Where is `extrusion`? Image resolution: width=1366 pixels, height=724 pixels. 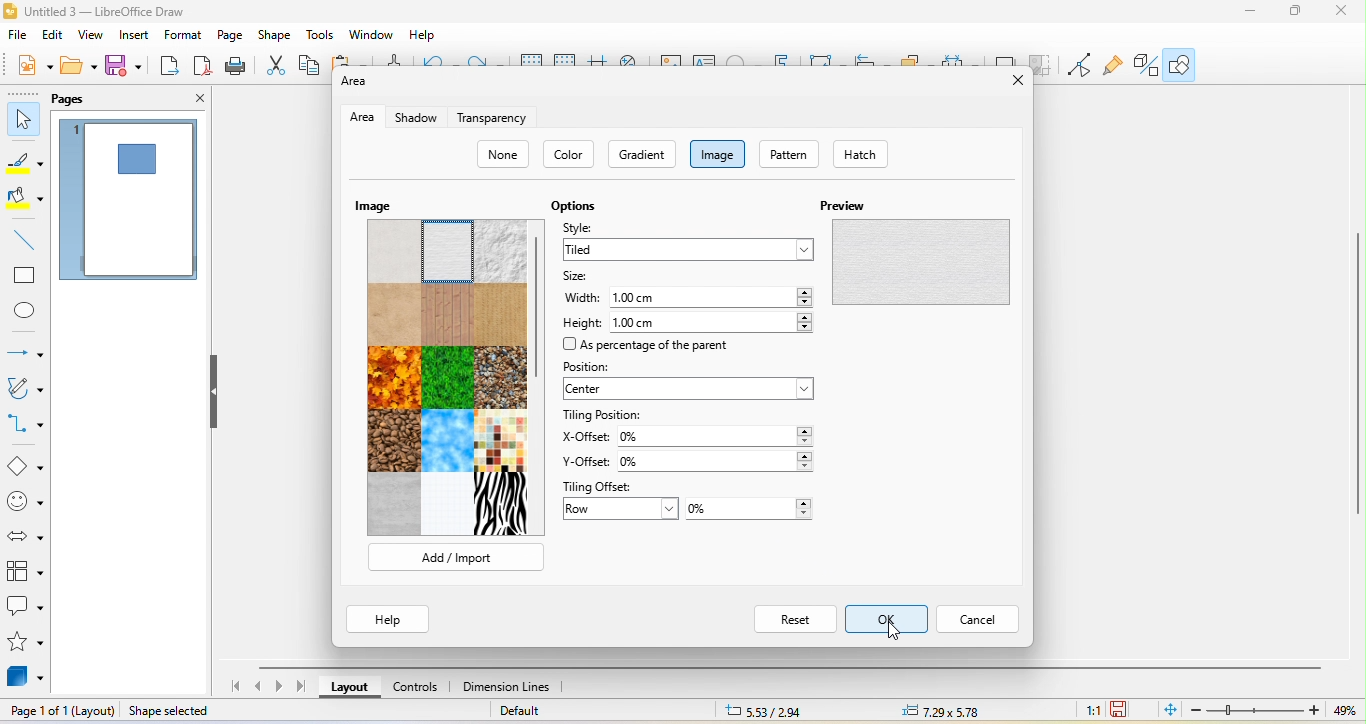 extrusion is located at coordinates (1147, 65).